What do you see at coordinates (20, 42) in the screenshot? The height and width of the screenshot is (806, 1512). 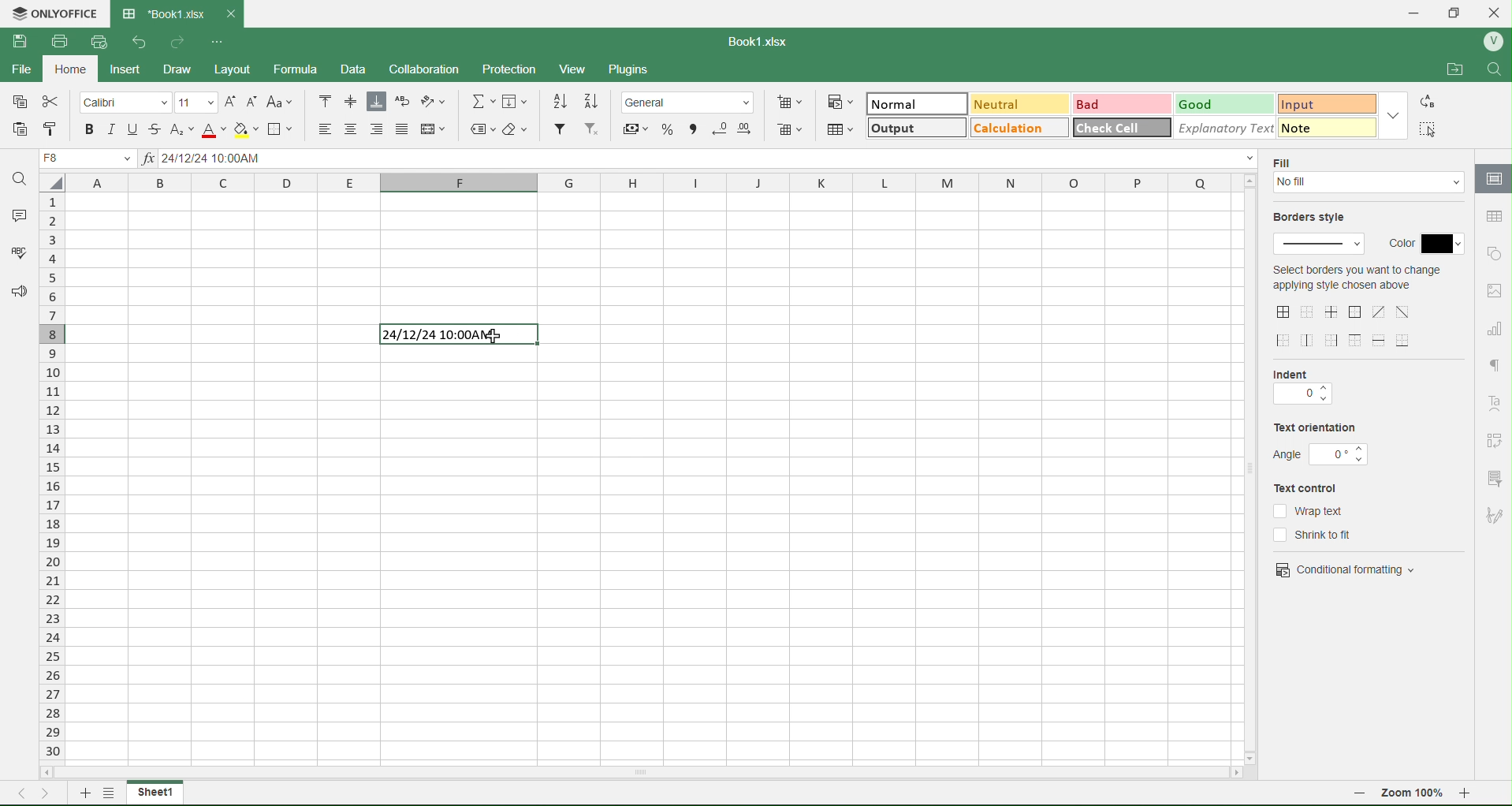 I see `Save` at bounding box center [20, 42].